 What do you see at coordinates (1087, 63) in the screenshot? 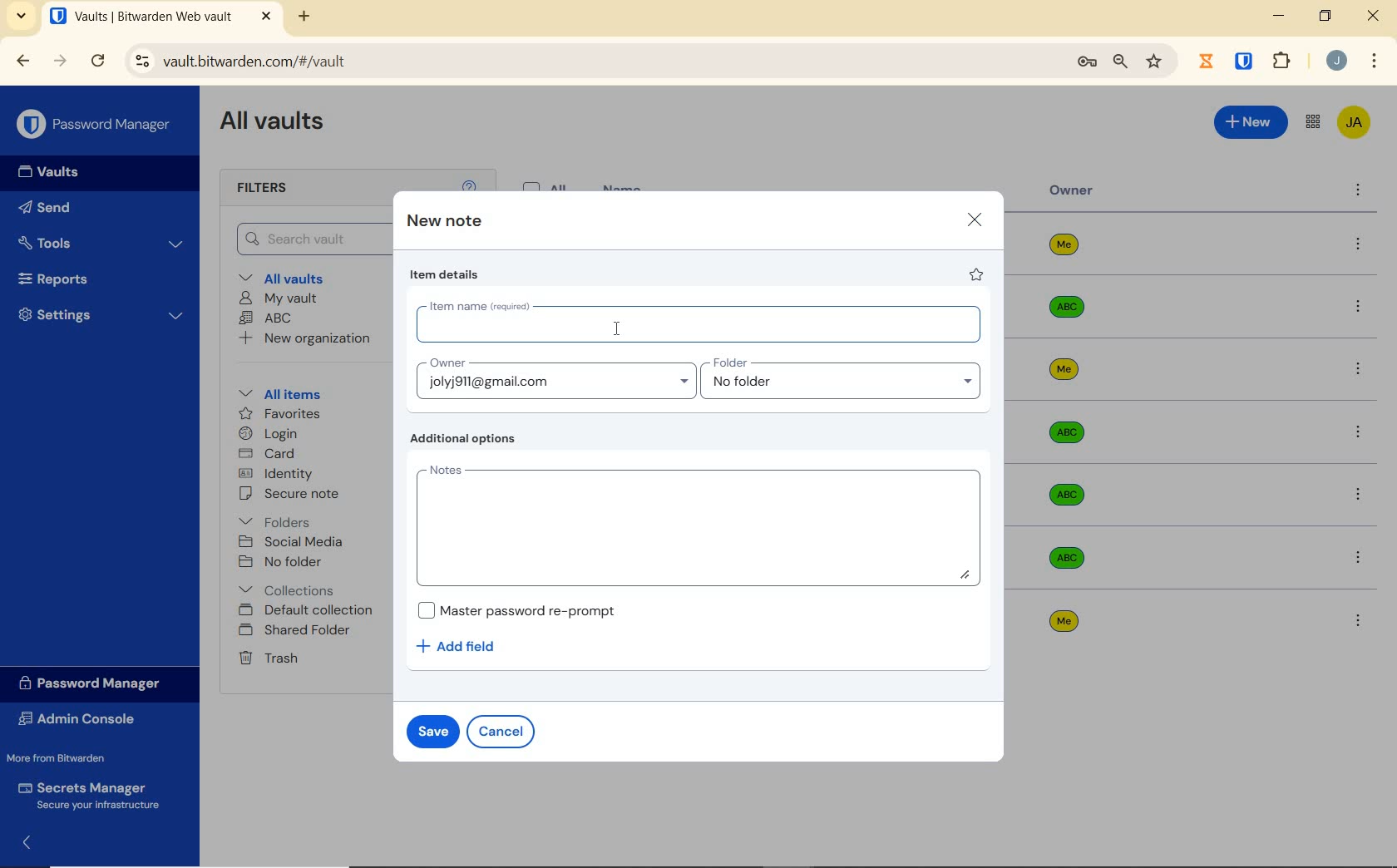
I see `manage passwords` at bounding box center [1087, 63].